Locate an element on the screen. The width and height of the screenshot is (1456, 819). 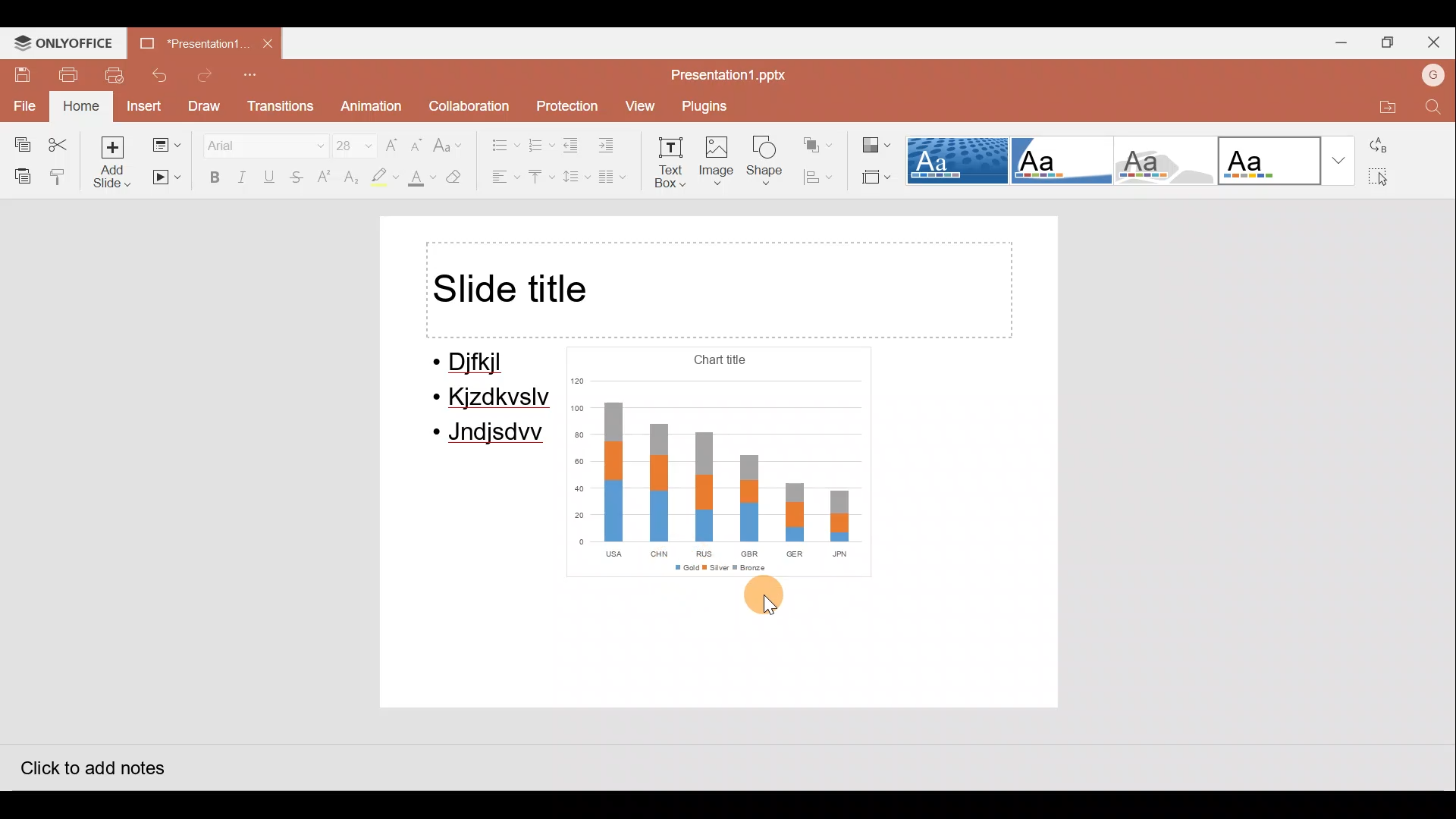
View is located at coordinates (639, 106).